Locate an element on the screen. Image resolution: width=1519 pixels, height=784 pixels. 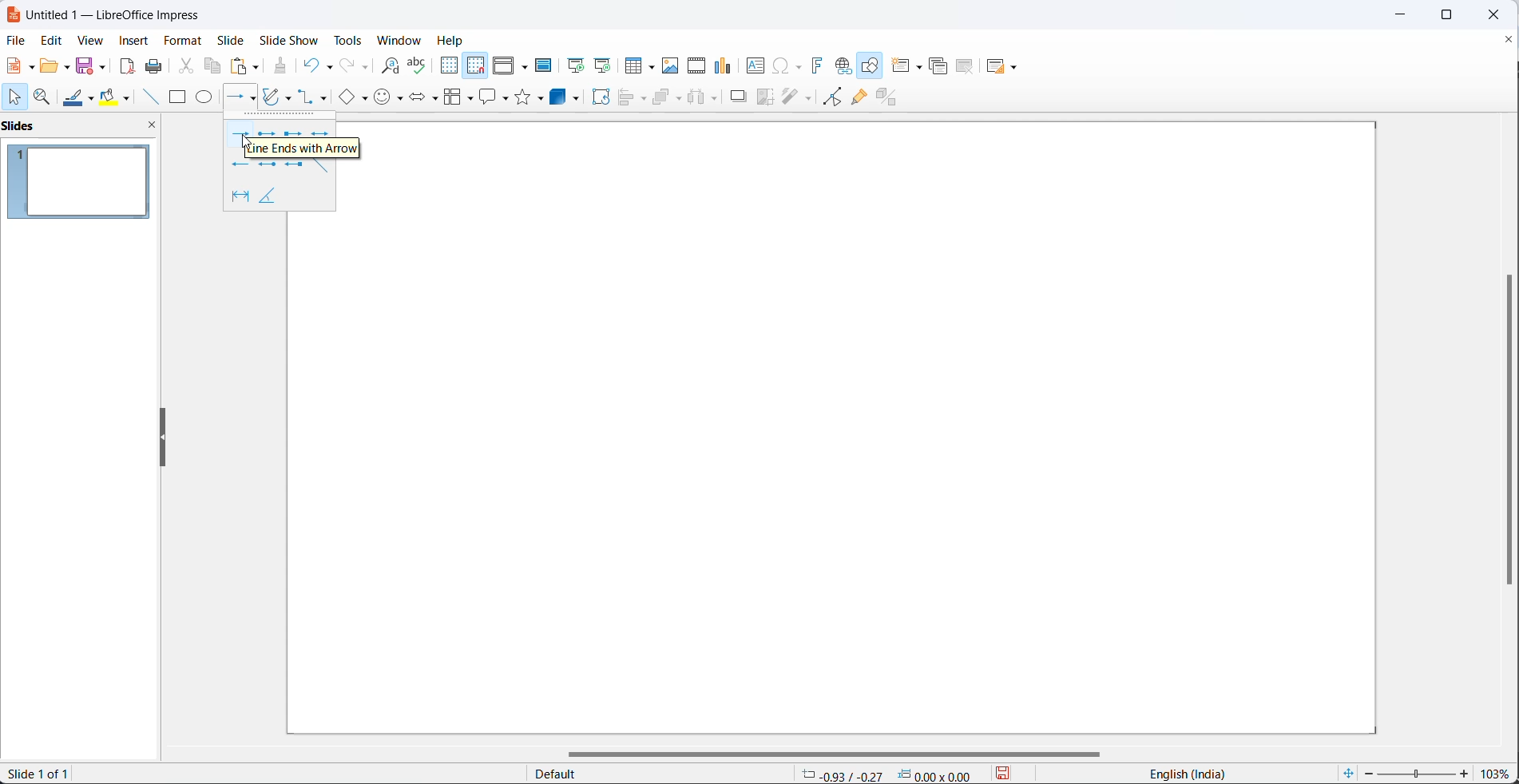
display grid is located at coordinates (449, 68).